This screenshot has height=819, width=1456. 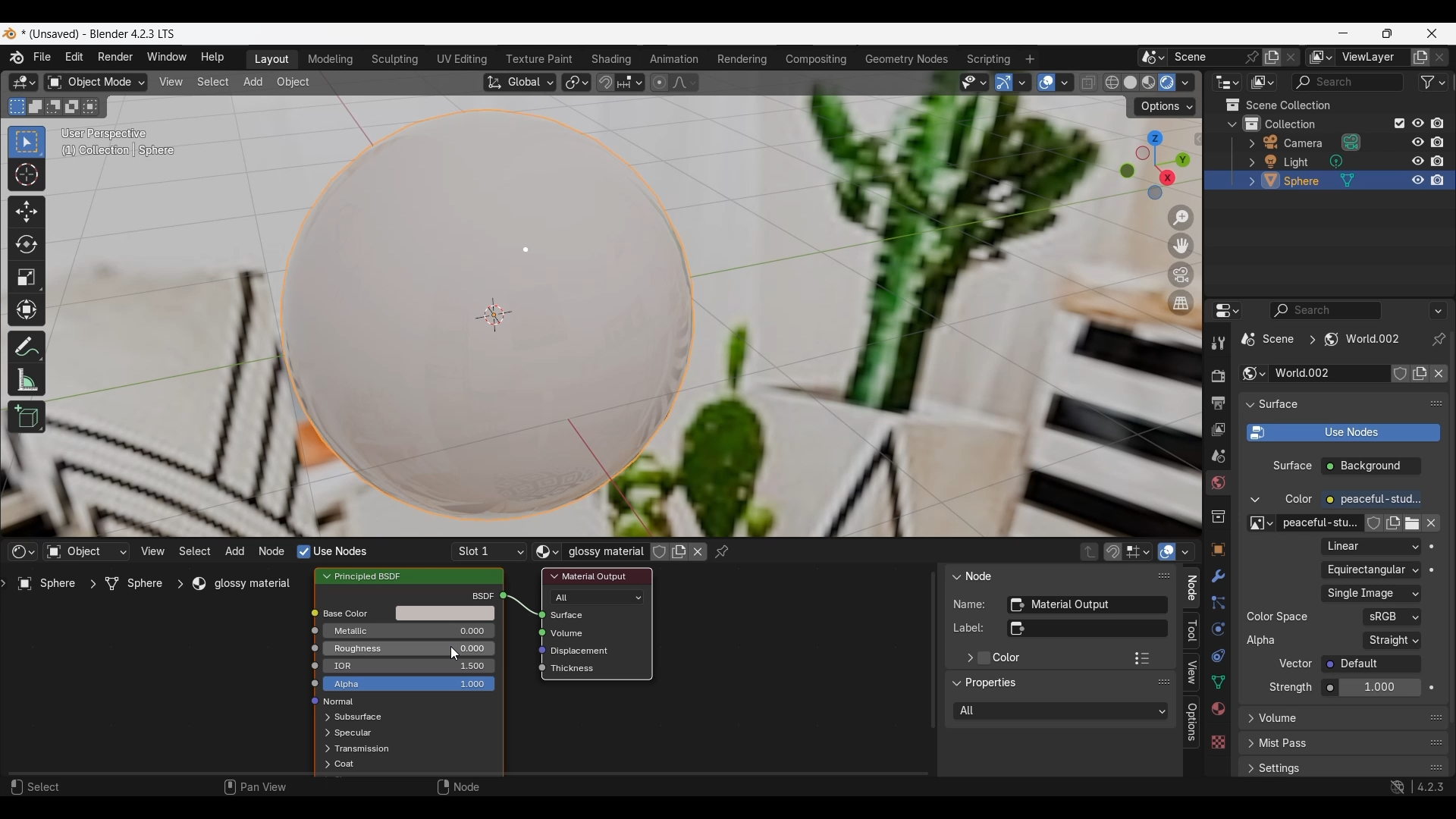 What do you see at coordinates (1437, 403) in the screenshot?
I see `Float surface panel` at bounding box center [1437, 403].